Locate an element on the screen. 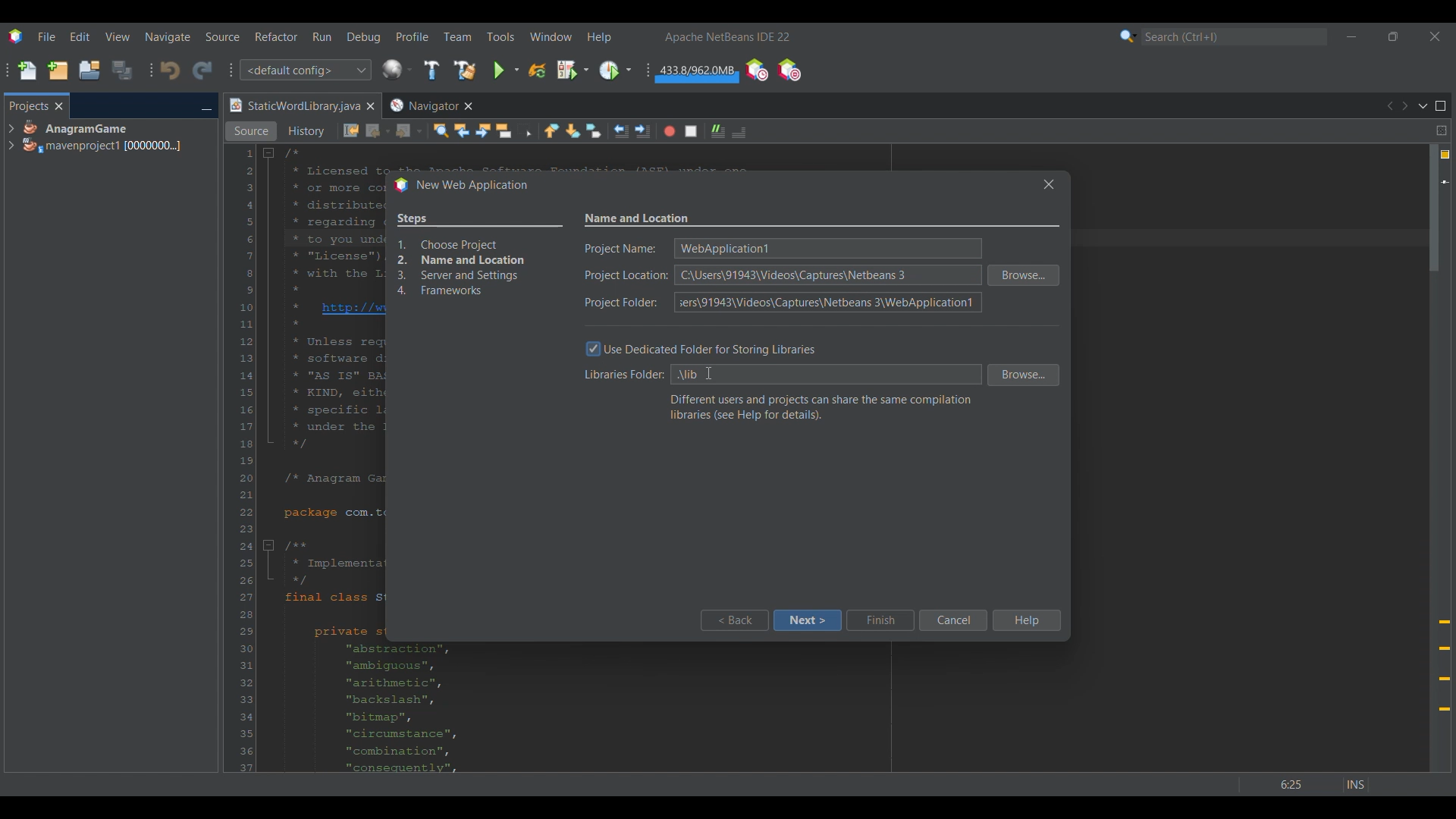  Software logo is located at coordinates (15, 36).